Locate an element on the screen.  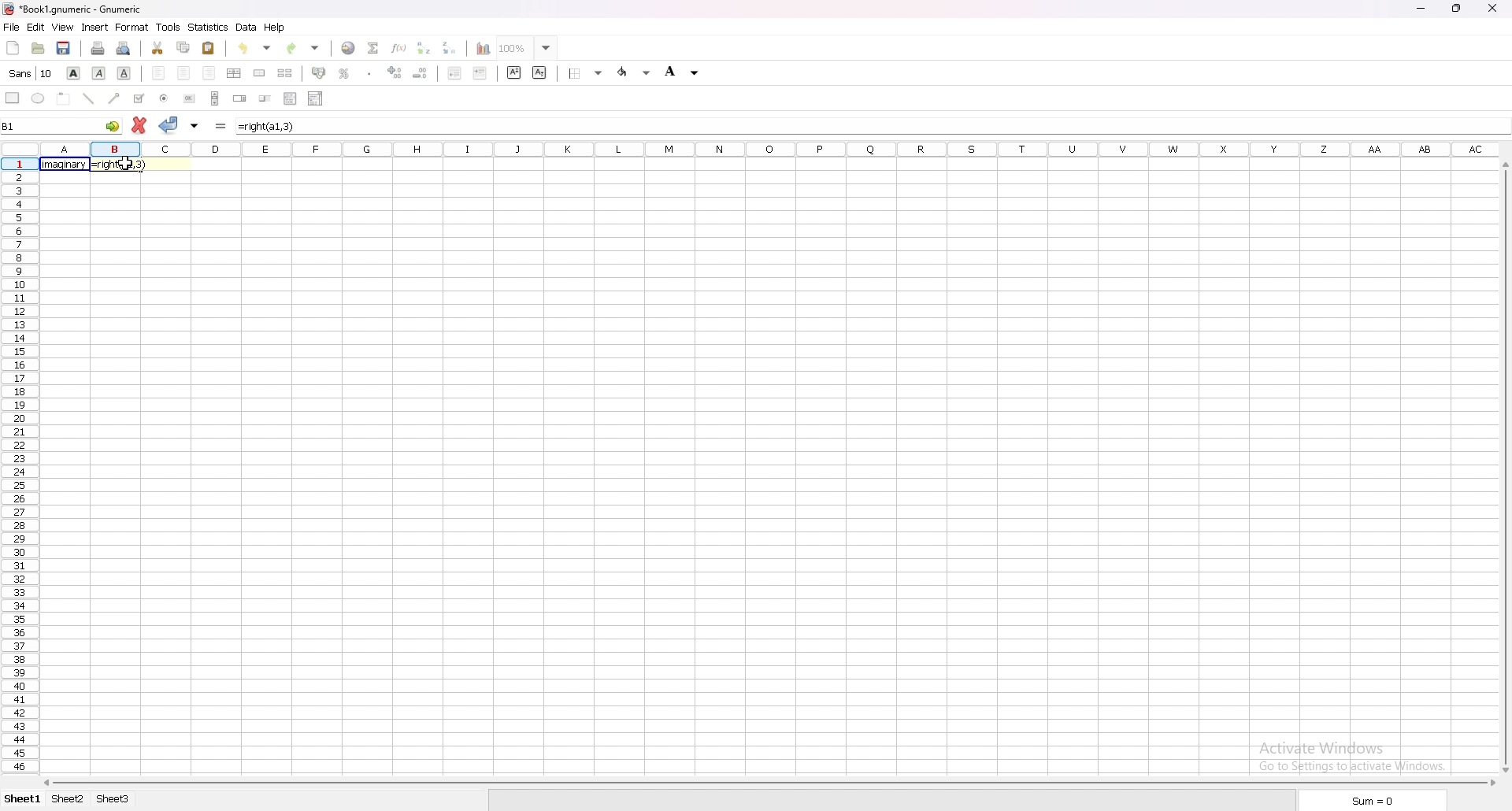
view is located at coordinates (62, 28).